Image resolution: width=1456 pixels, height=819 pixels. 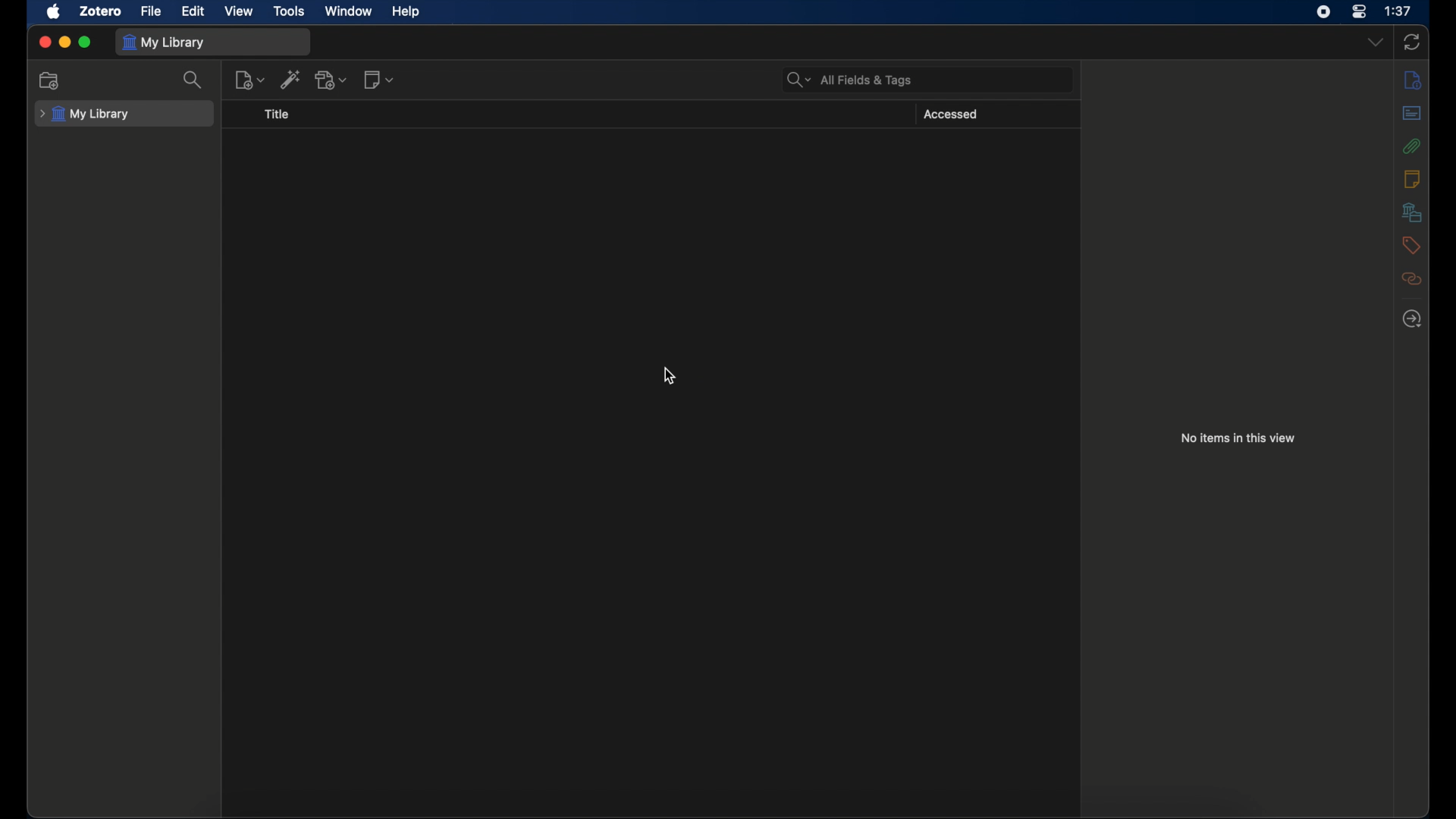 I want to click on new collection, so click(x=51, y=80).